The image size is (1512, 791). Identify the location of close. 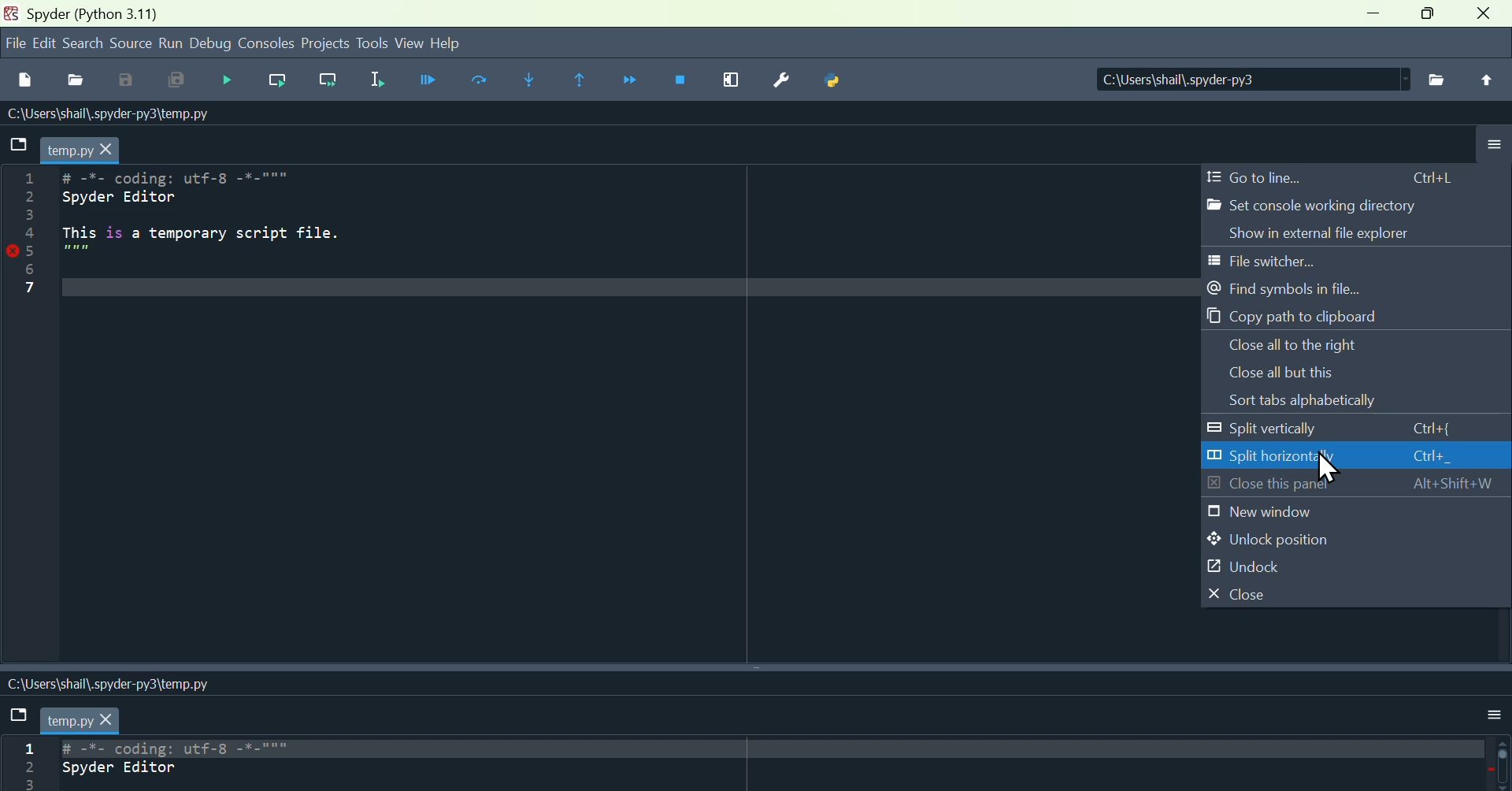
(1484, 17).